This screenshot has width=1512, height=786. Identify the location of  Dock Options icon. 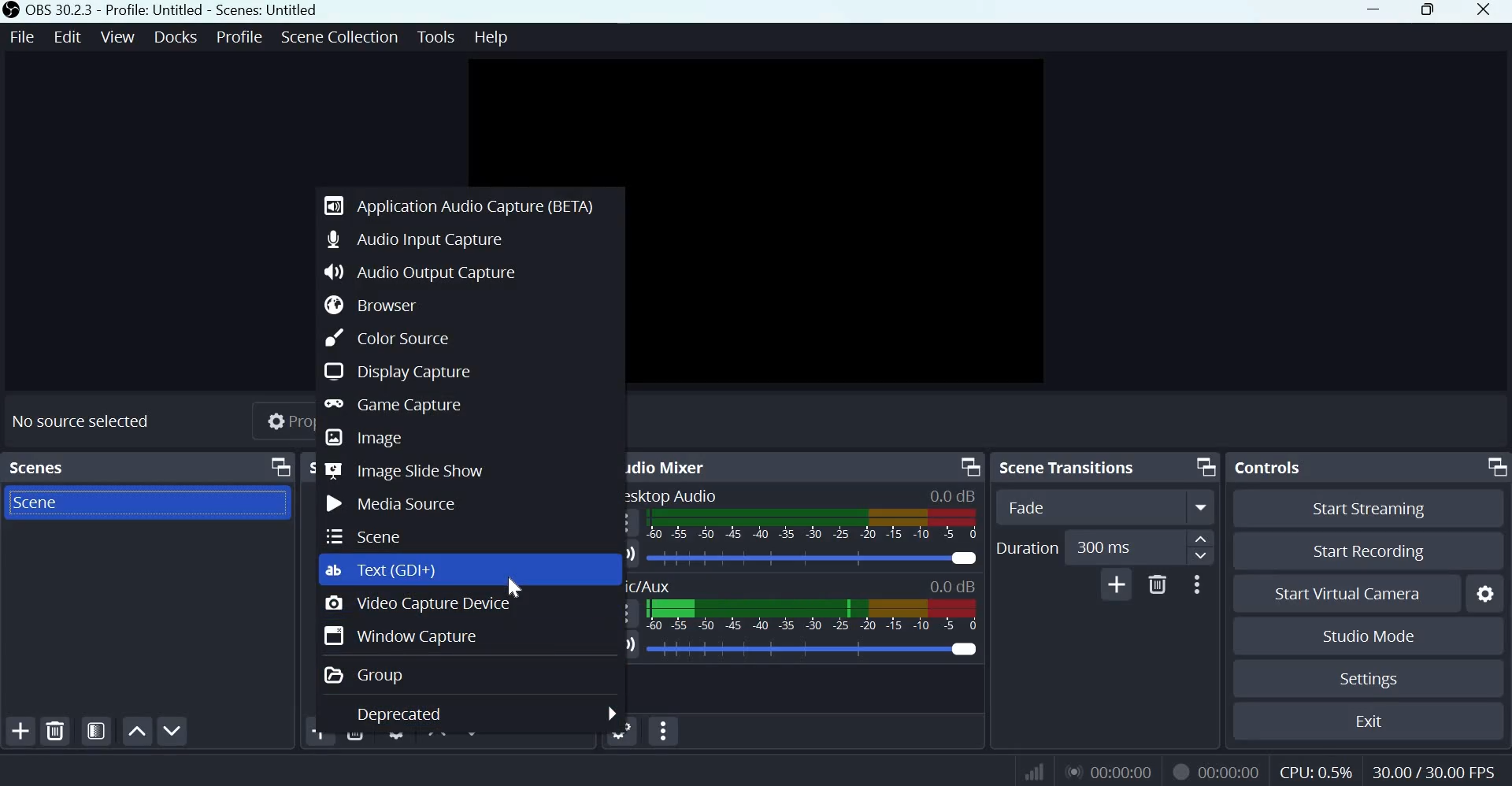
(1204, 465).